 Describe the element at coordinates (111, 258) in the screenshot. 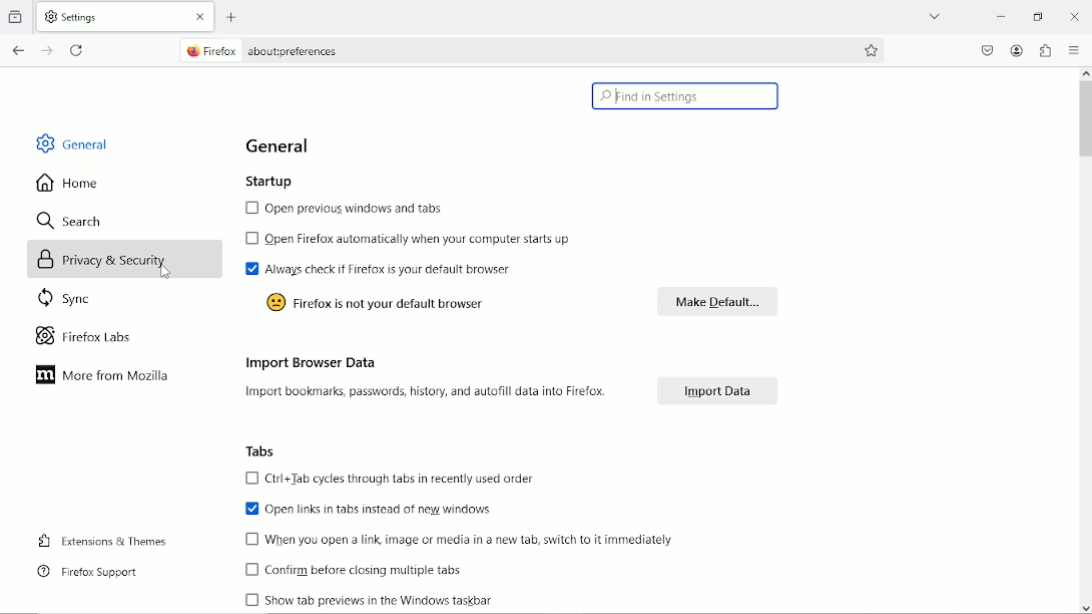

I see `privacy & security` at that location.